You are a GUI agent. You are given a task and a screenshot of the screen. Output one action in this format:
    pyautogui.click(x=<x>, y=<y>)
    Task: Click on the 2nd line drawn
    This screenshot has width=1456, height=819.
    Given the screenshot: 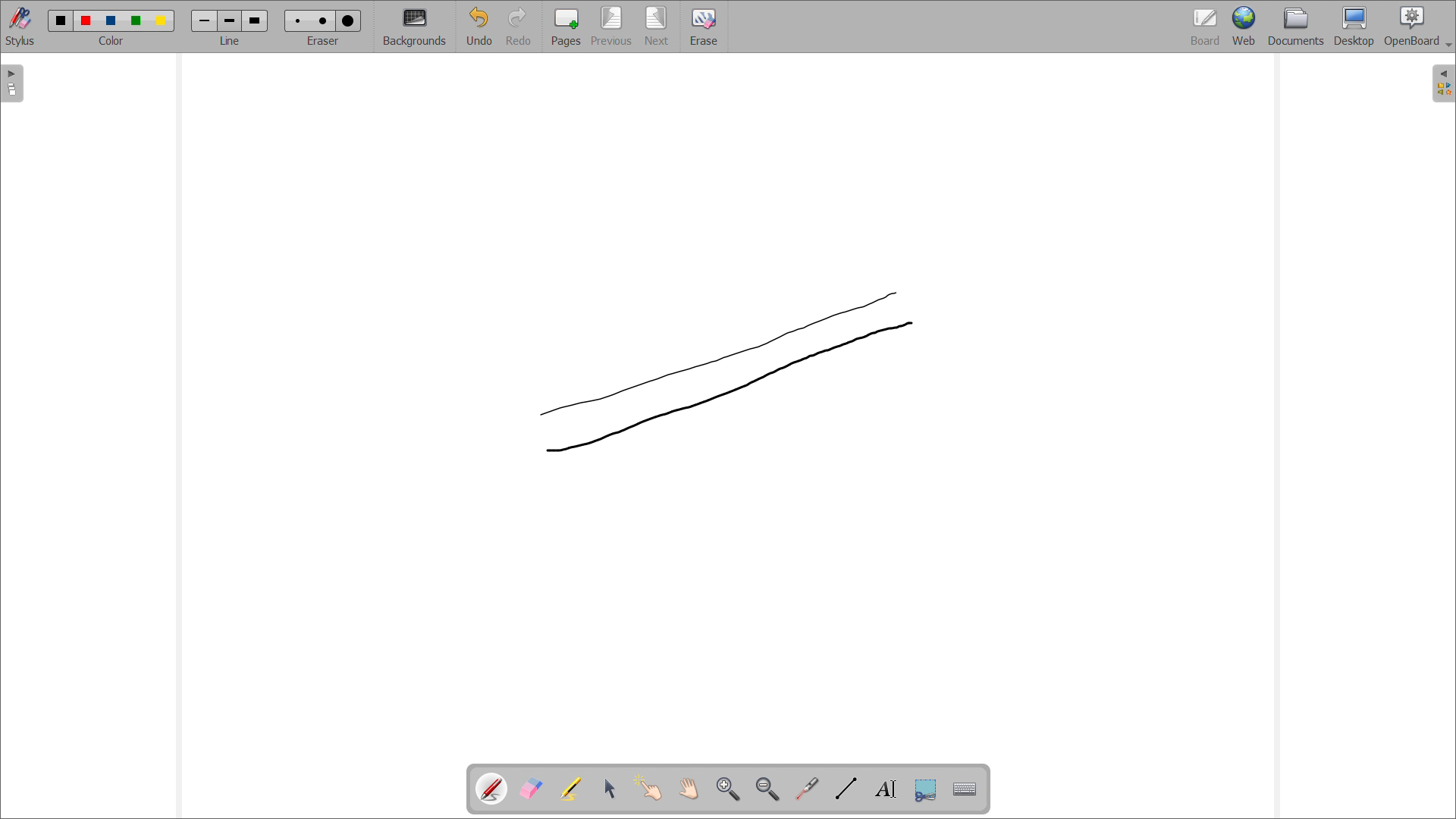 What is the action you would take?
    pyautogui.click(x=721, y=377)
    